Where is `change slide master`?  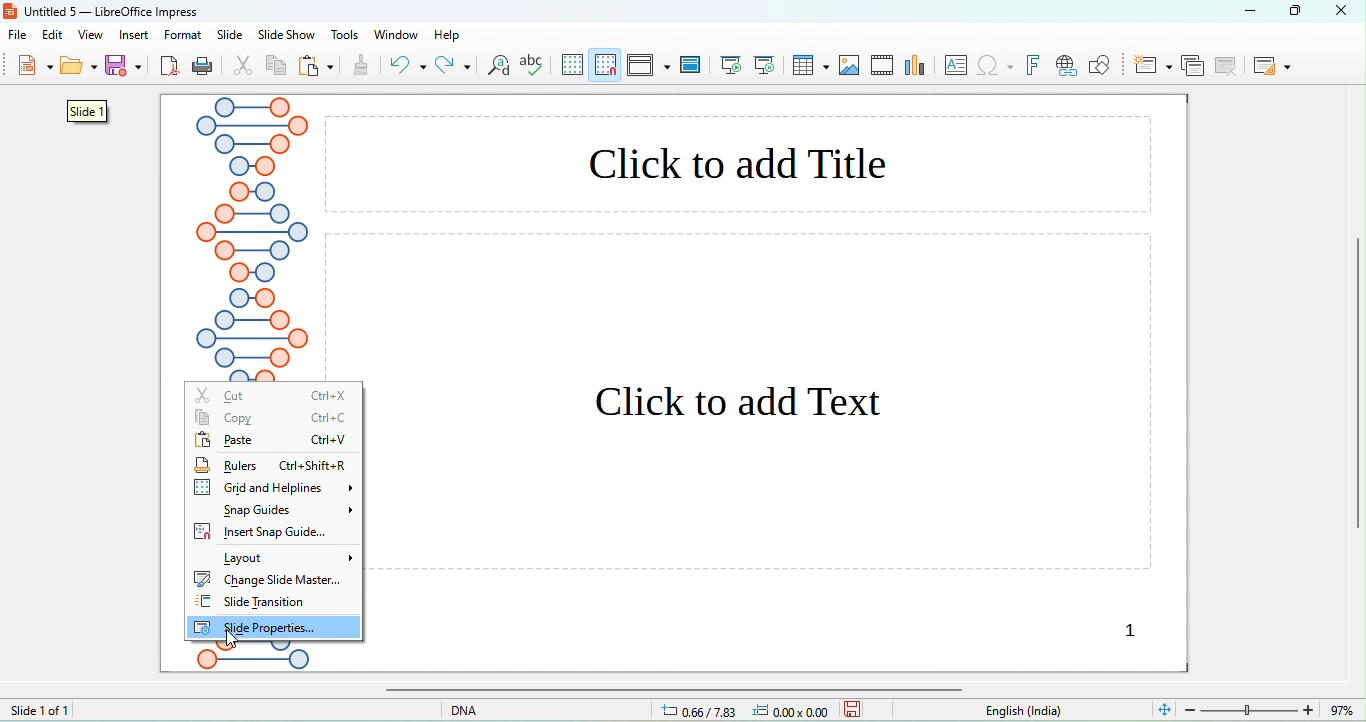 change slide master is located at coordinates (270, 579).